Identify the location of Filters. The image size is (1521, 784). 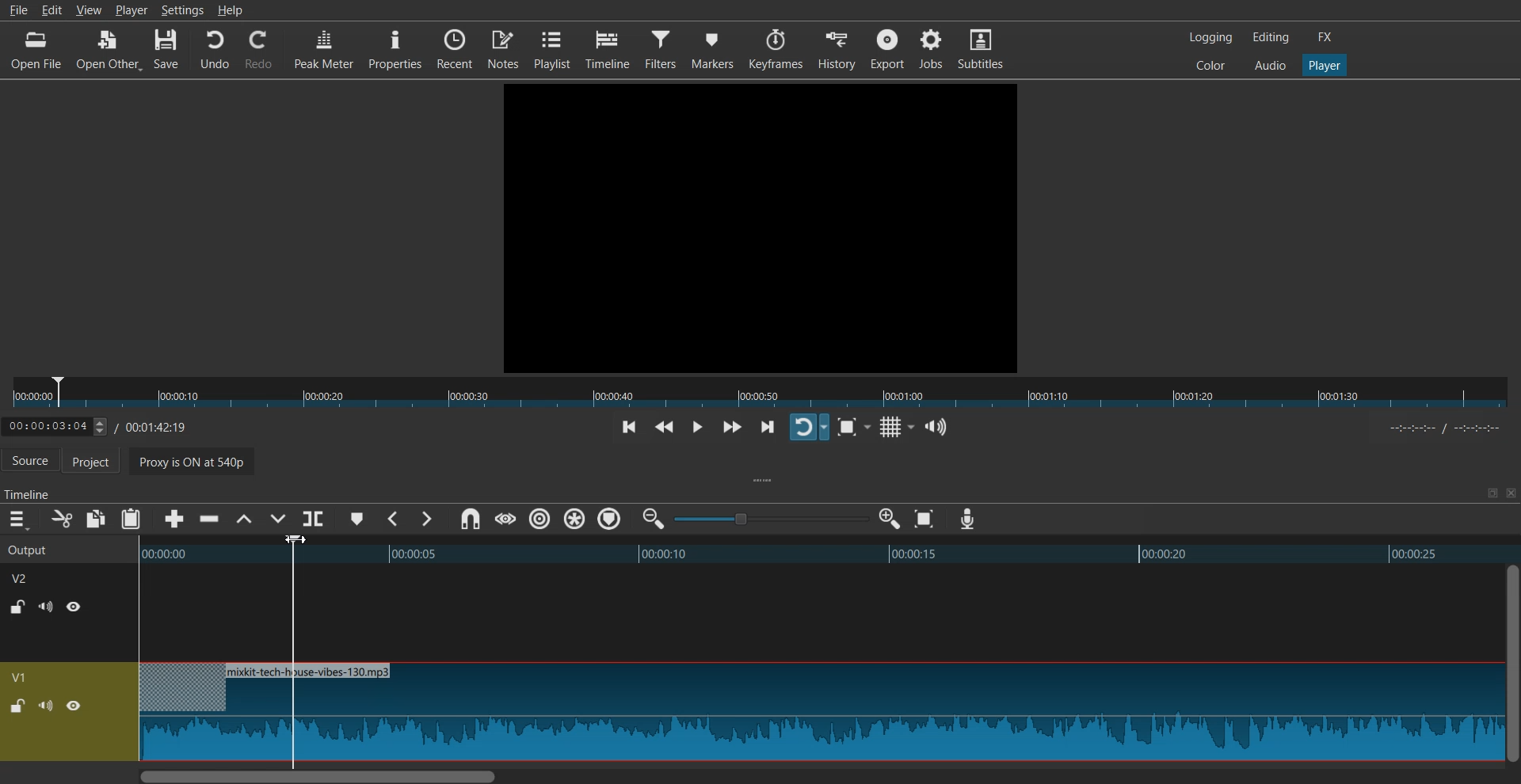
(661, 48).